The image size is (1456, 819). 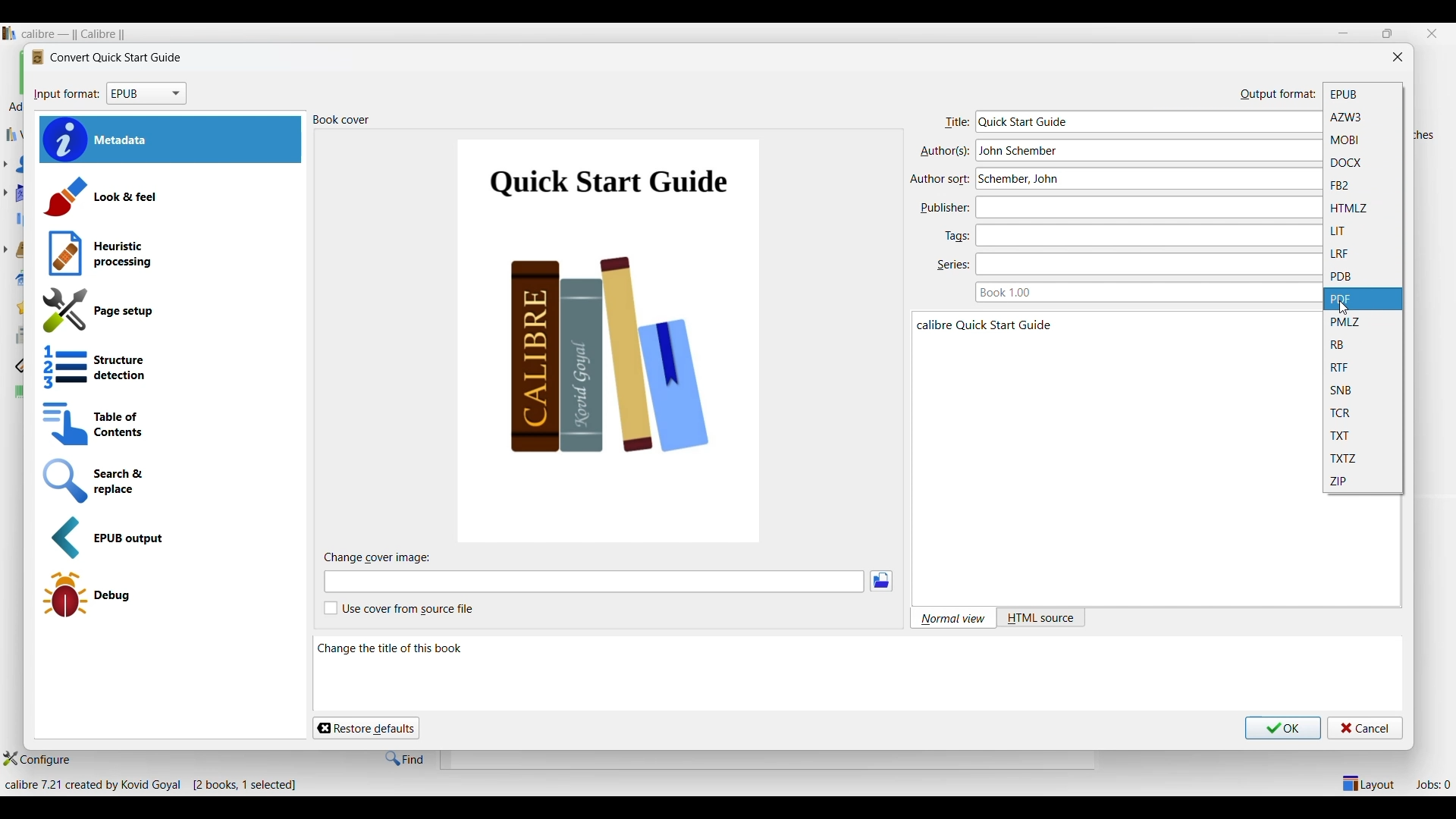 What do you see at coordinates (170, 140) in the screenshot?
I see `Metadata` at bounding box center [170, 140].